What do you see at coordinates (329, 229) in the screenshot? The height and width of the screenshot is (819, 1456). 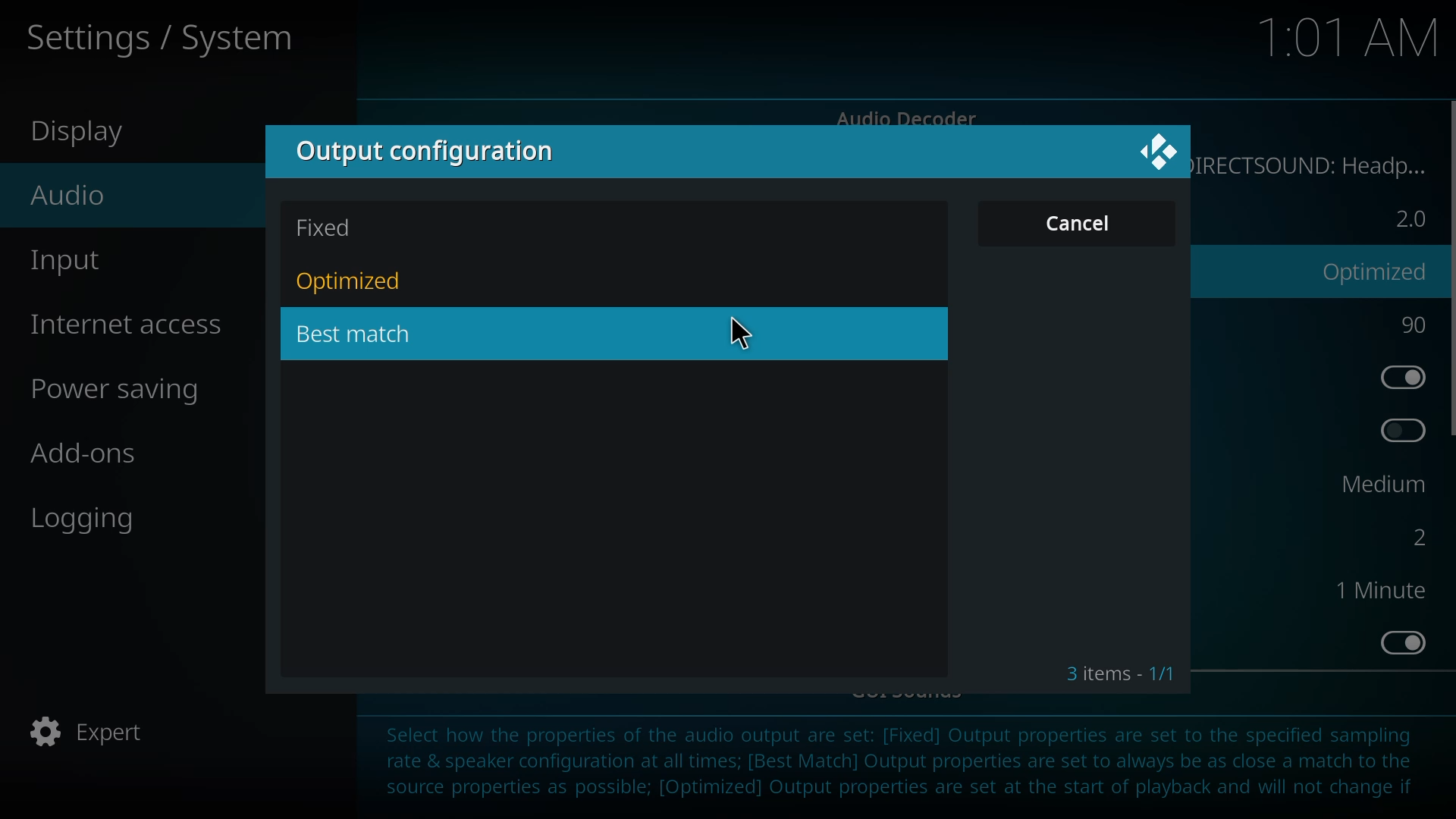 I see `fixed` at bounding box center [329, 229].